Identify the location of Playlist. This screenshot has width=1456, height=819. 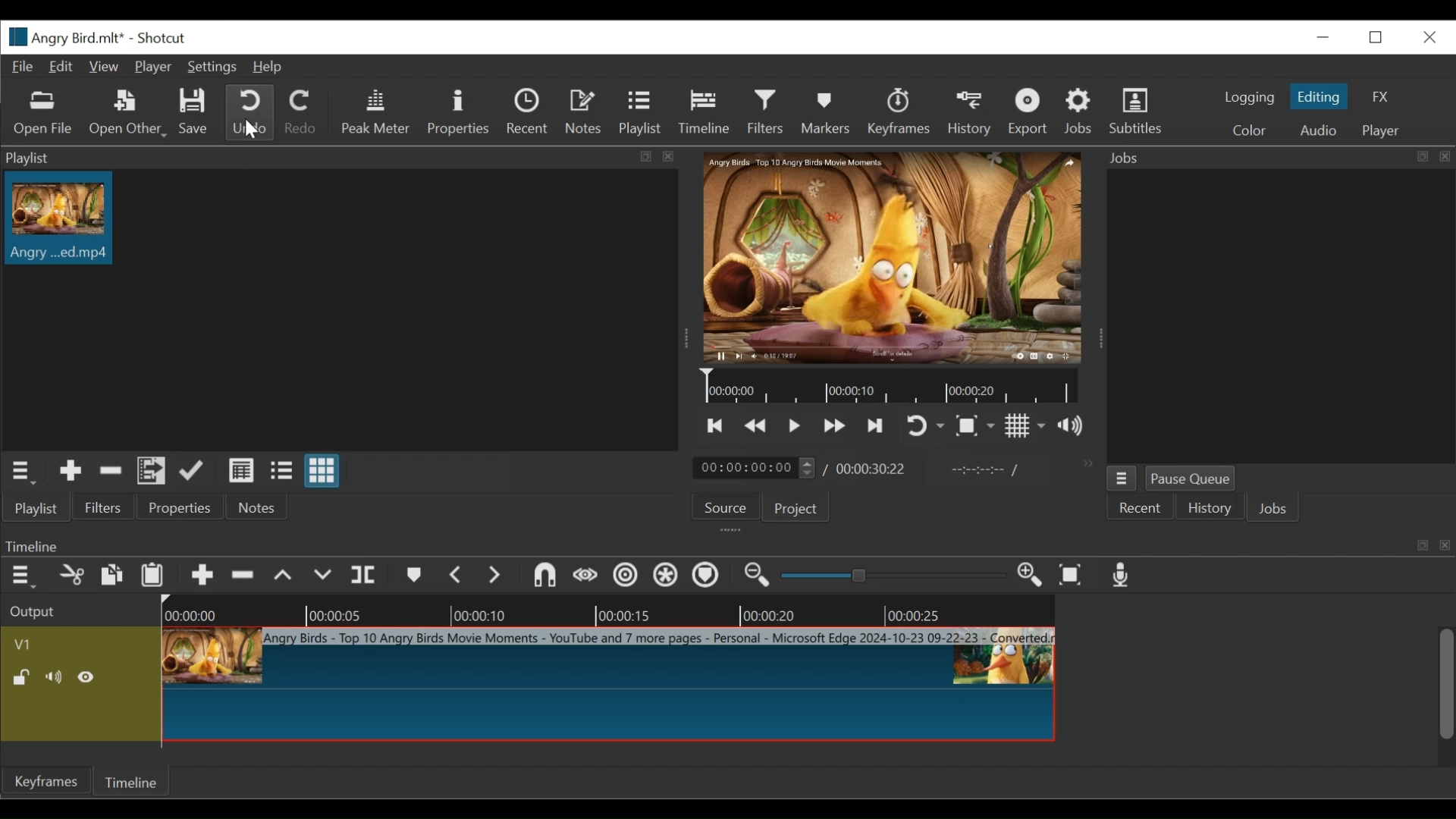
(34, 508).